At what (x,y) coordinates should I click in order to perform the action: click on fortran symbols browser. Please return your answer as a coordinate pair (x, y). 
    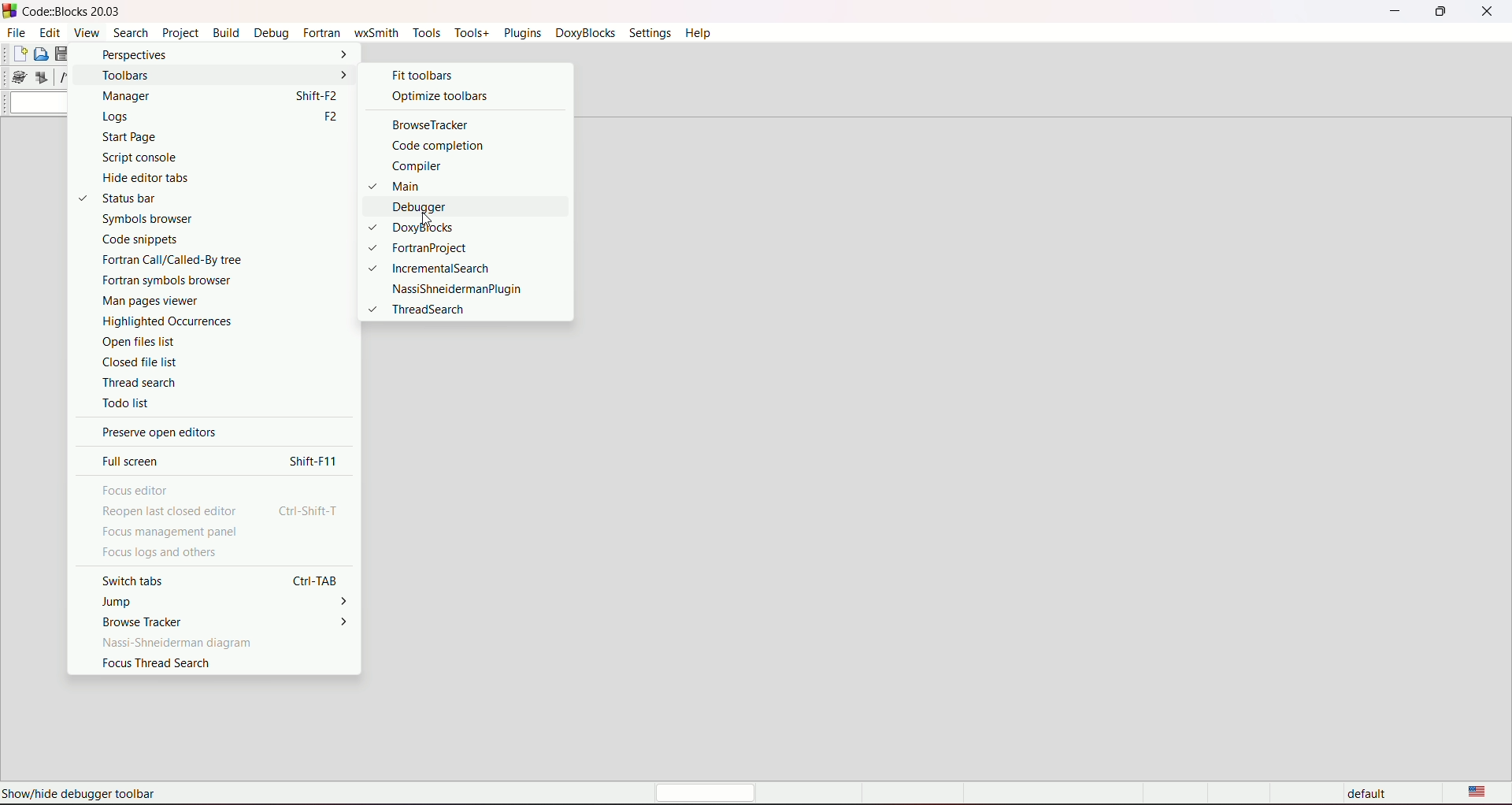
    Looking at the image, I should click on (201, 280).